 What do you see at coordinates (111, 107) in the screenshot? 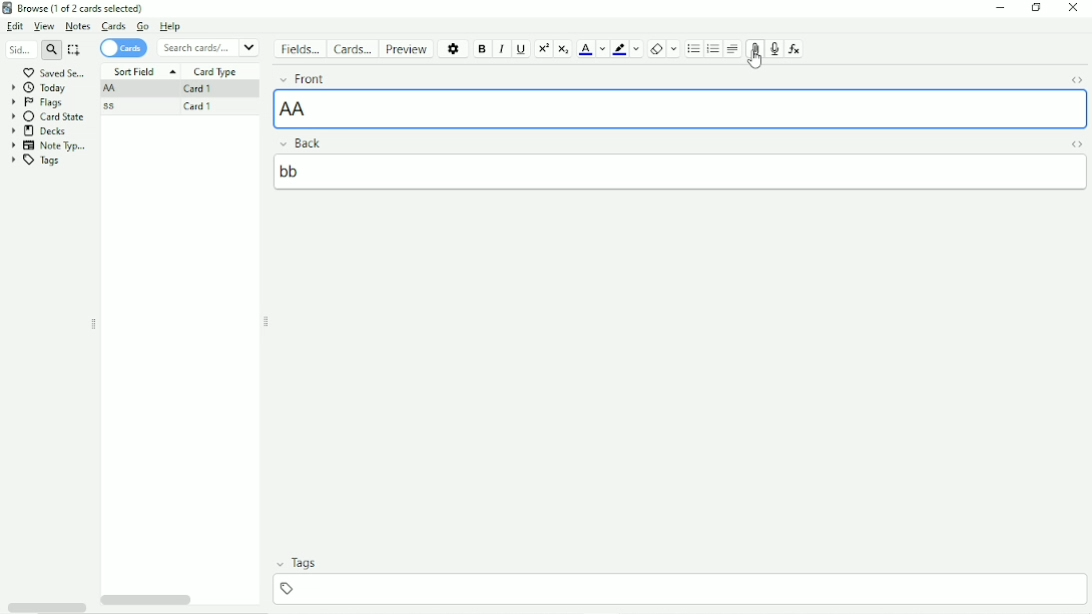
I see `ss` at bounding box center [111, 107].